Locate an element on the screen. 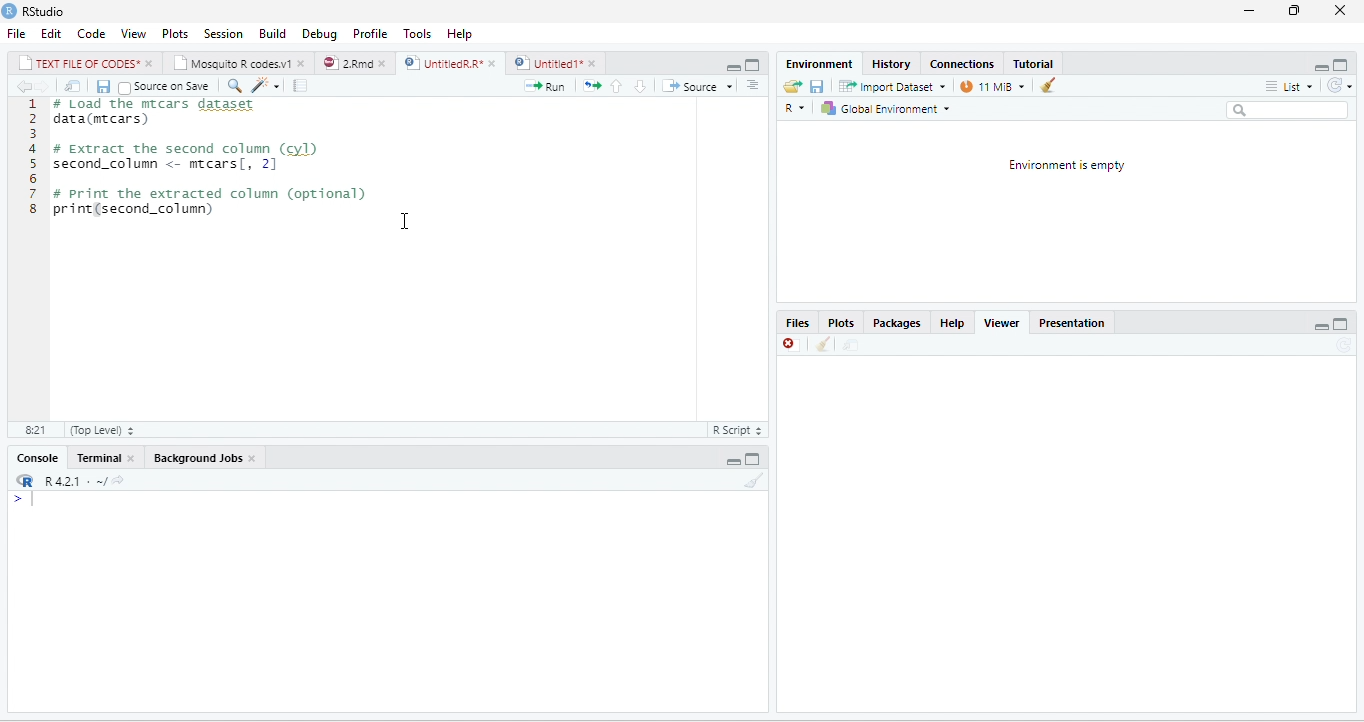  RStudio is located at coordinates (50, 12).